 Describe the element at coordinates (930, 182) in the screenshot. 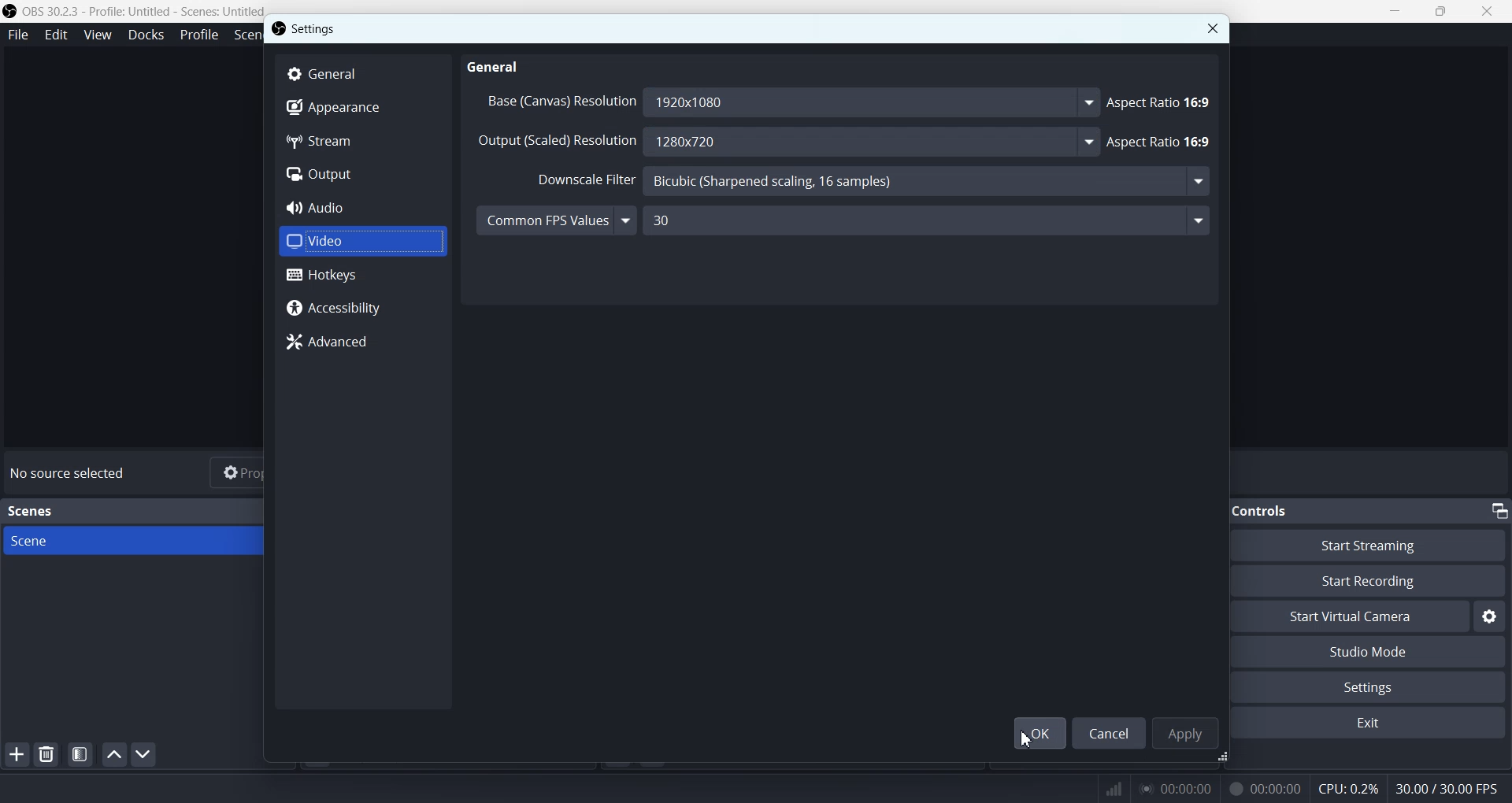

I see `Biscubic` at that location.